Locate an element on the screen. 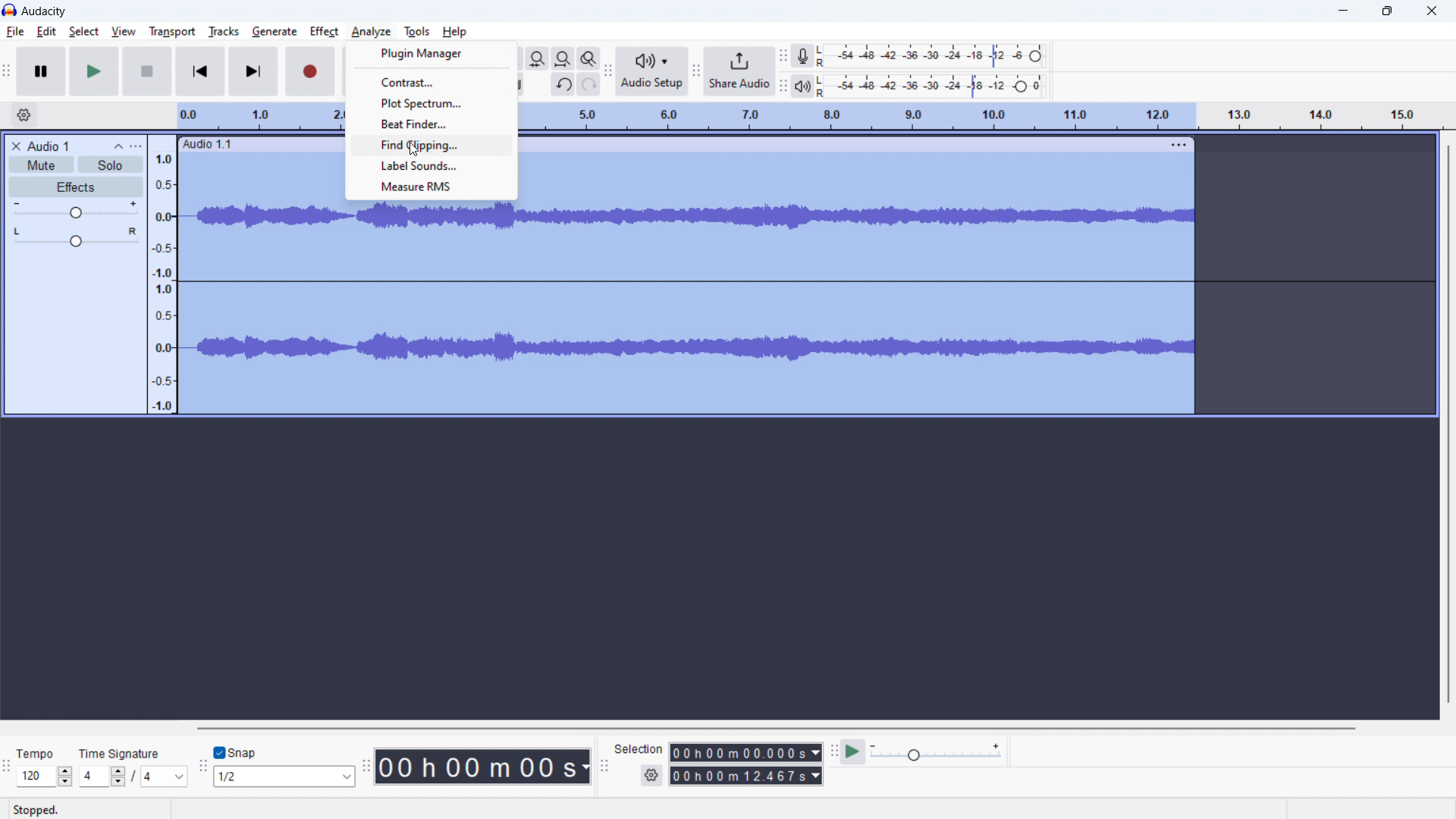  file is located at coordinates (16, 32).